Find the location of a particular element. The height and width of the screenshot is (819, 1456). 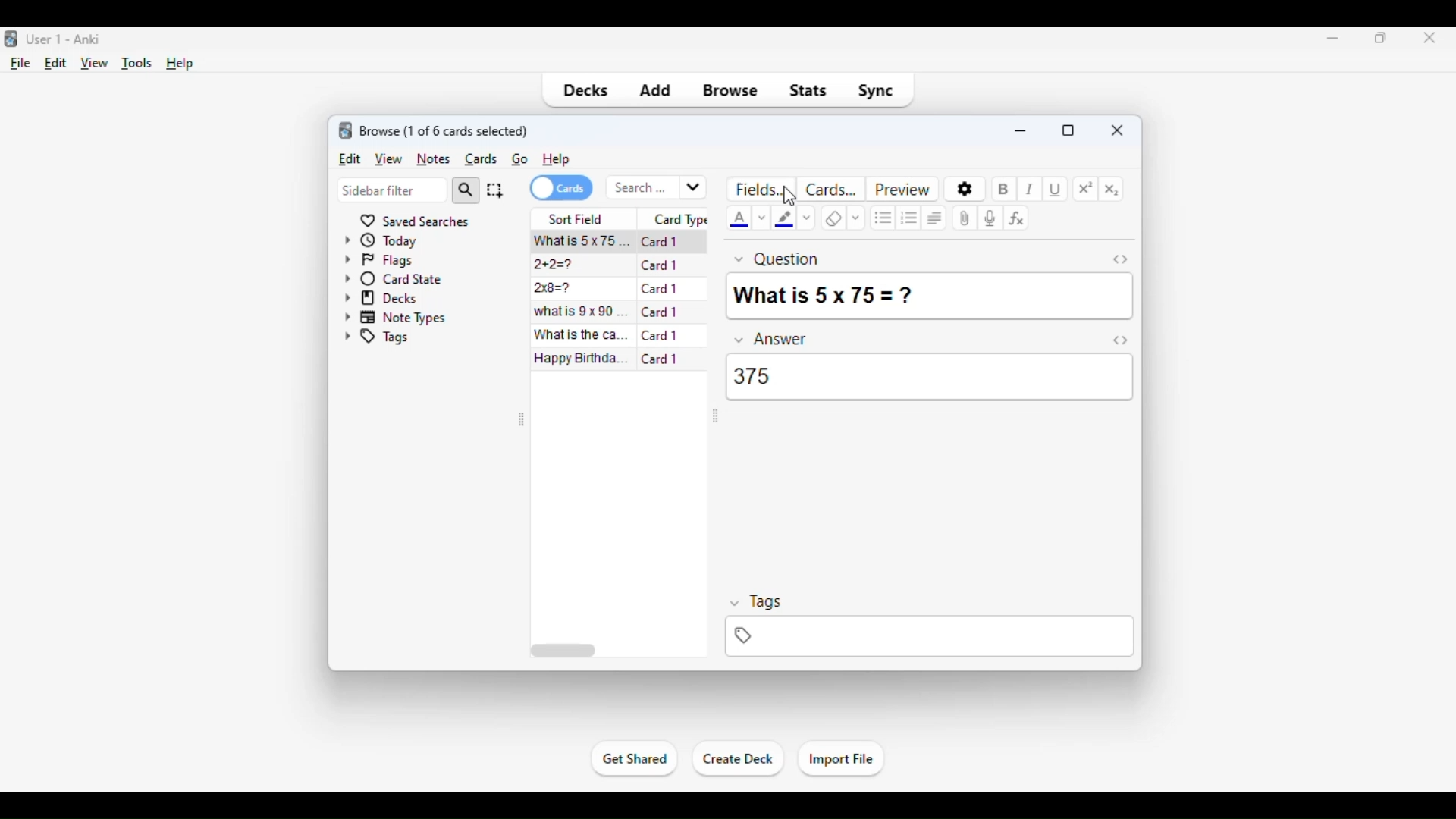

cards is located at coordinates (482, 159).